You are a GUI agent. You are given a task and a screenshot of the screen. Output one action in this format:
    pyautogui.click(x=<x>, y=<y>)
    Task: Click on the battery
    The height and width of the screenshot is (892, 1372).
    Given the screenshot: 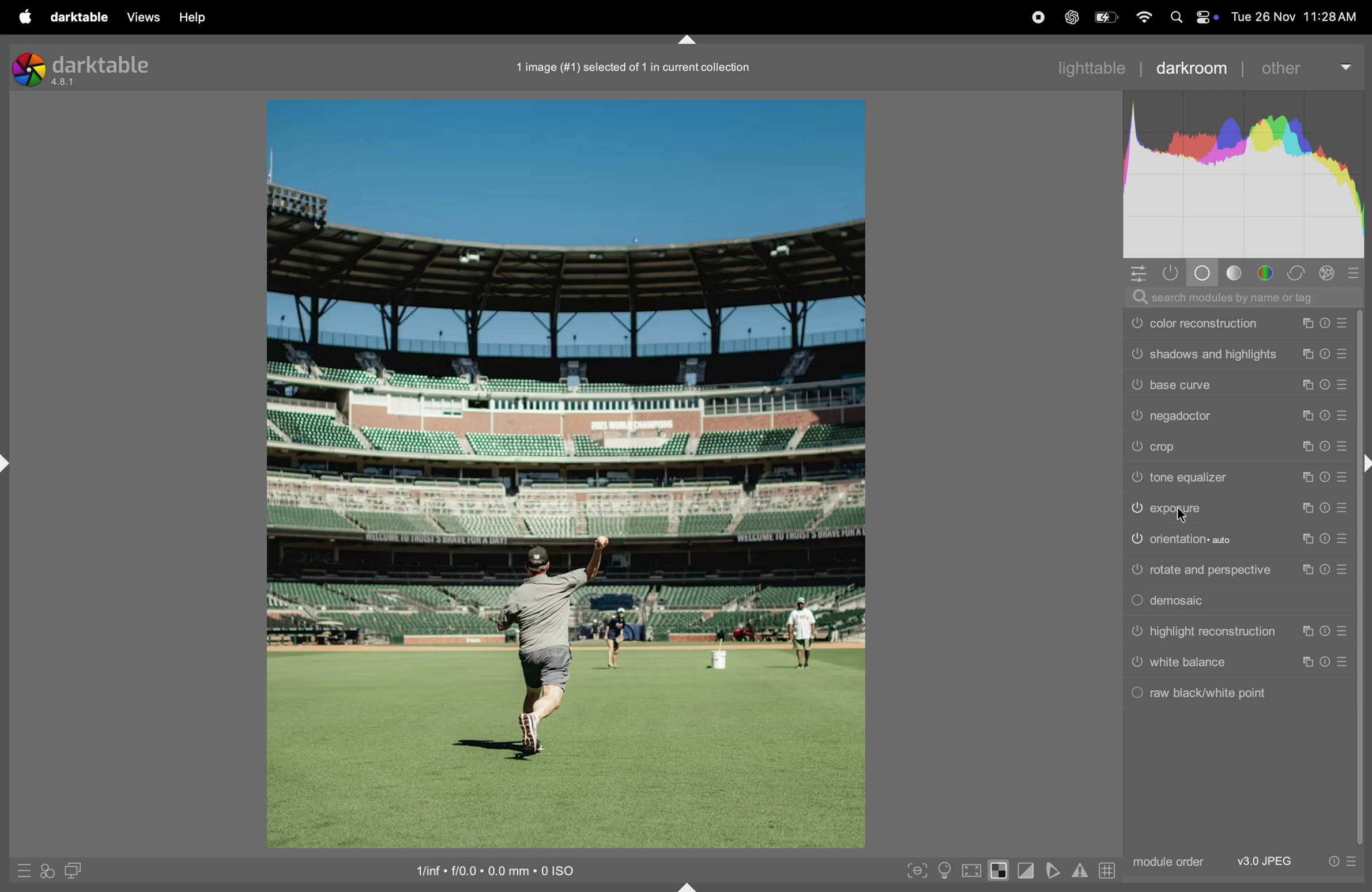 What is the action you would take?
    pyautogui.click(x=1108, y=16)
    